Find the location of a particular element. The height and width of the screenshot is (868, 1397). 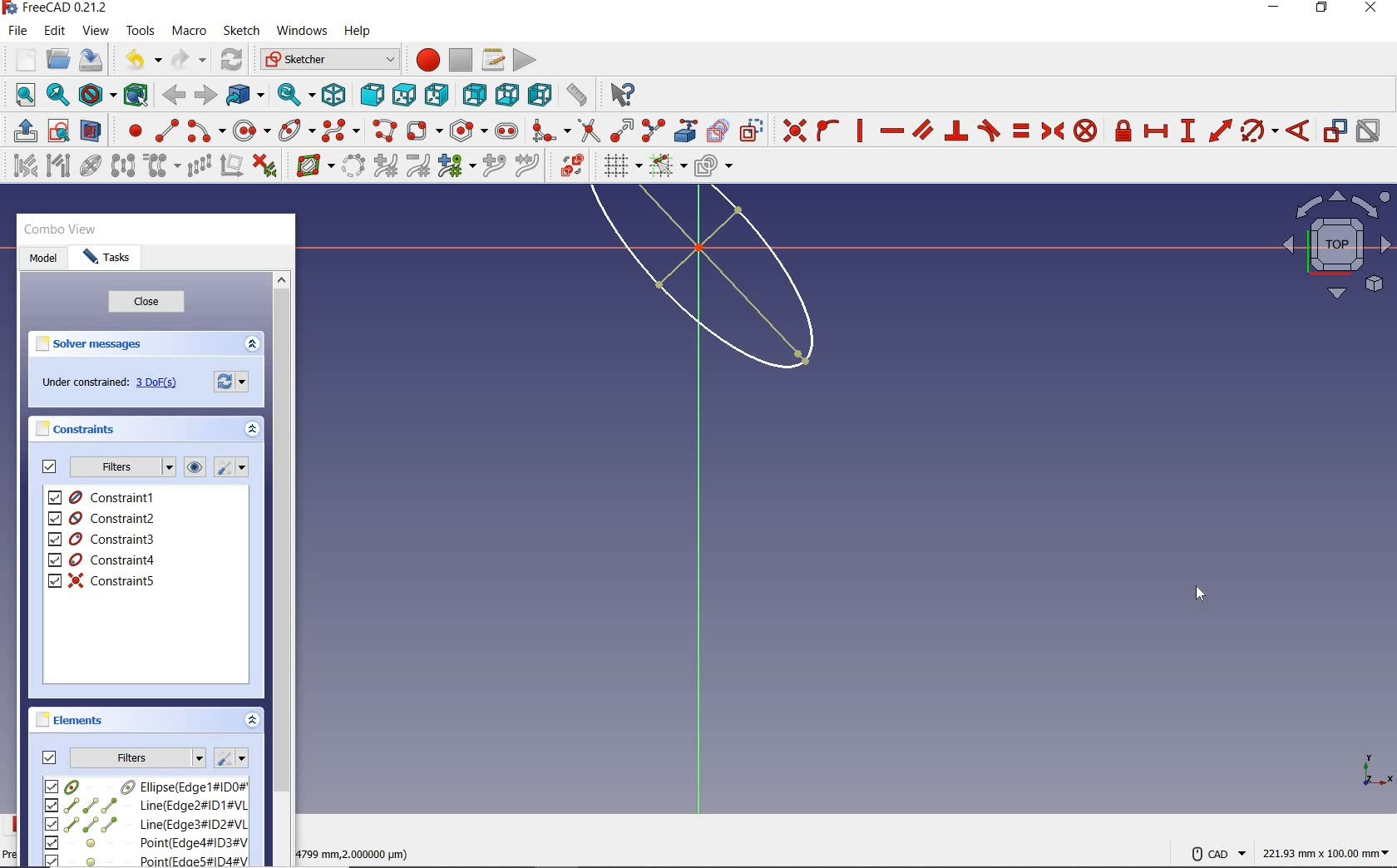

toggle grid is located at coordinates (620, 165).